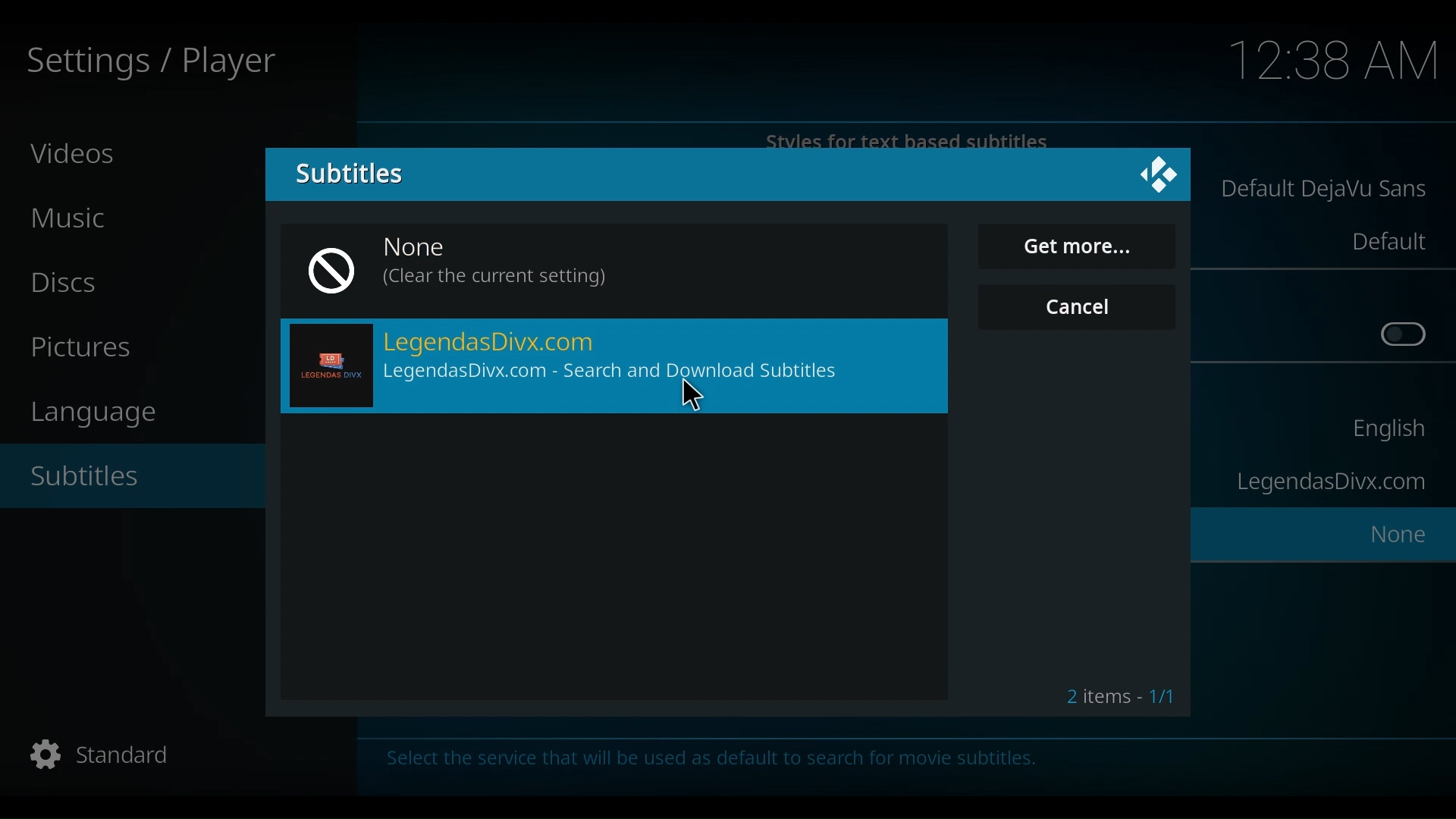 The image size is (1456, 819). What do you see at coordinates (71, 283) in the screenshot?
I see `Discs` at bounding box center [71, 283].